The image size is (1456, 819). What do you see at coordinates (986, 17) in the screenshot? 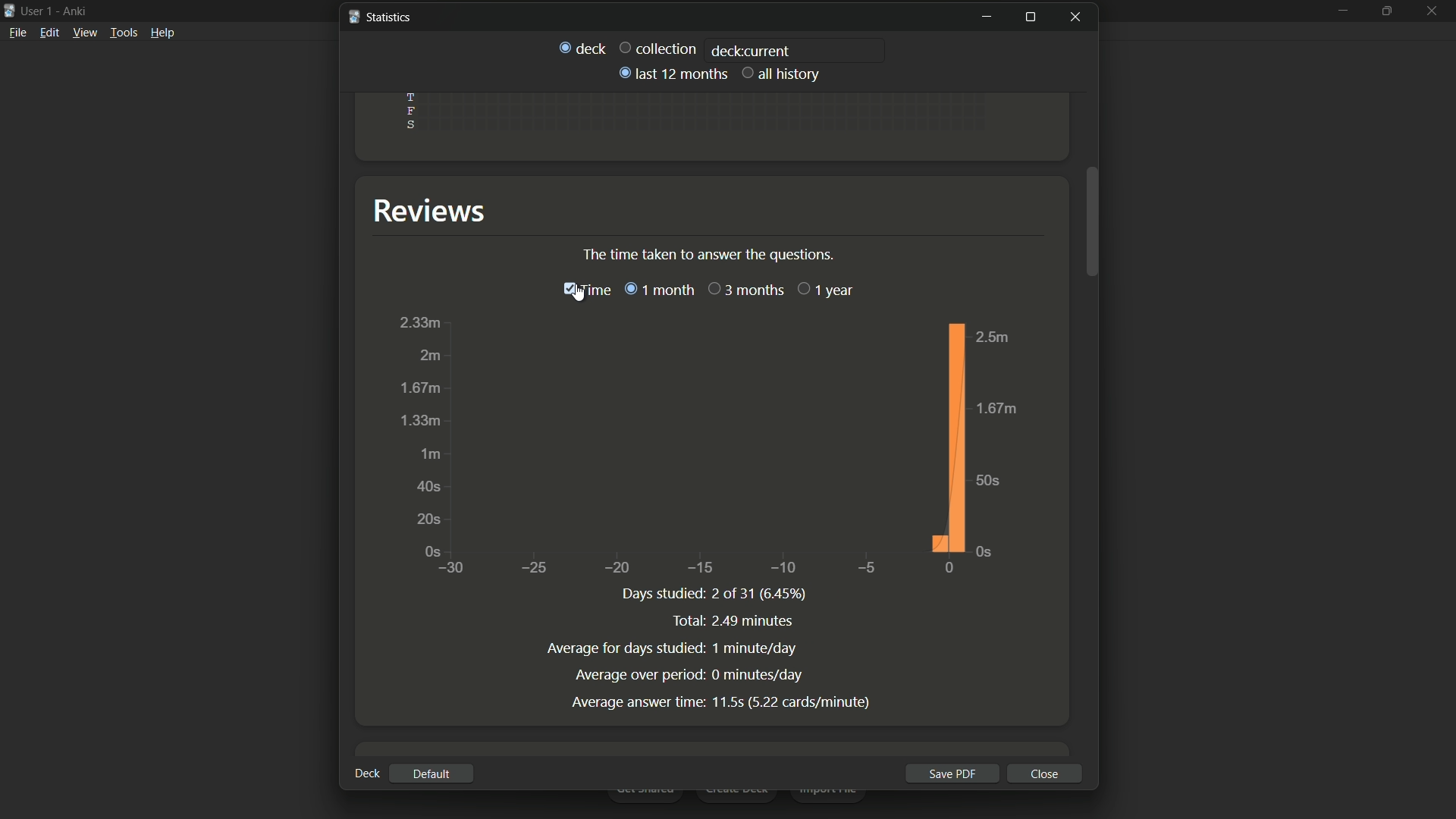
I see `minimize` at bounding box center [986, 17].